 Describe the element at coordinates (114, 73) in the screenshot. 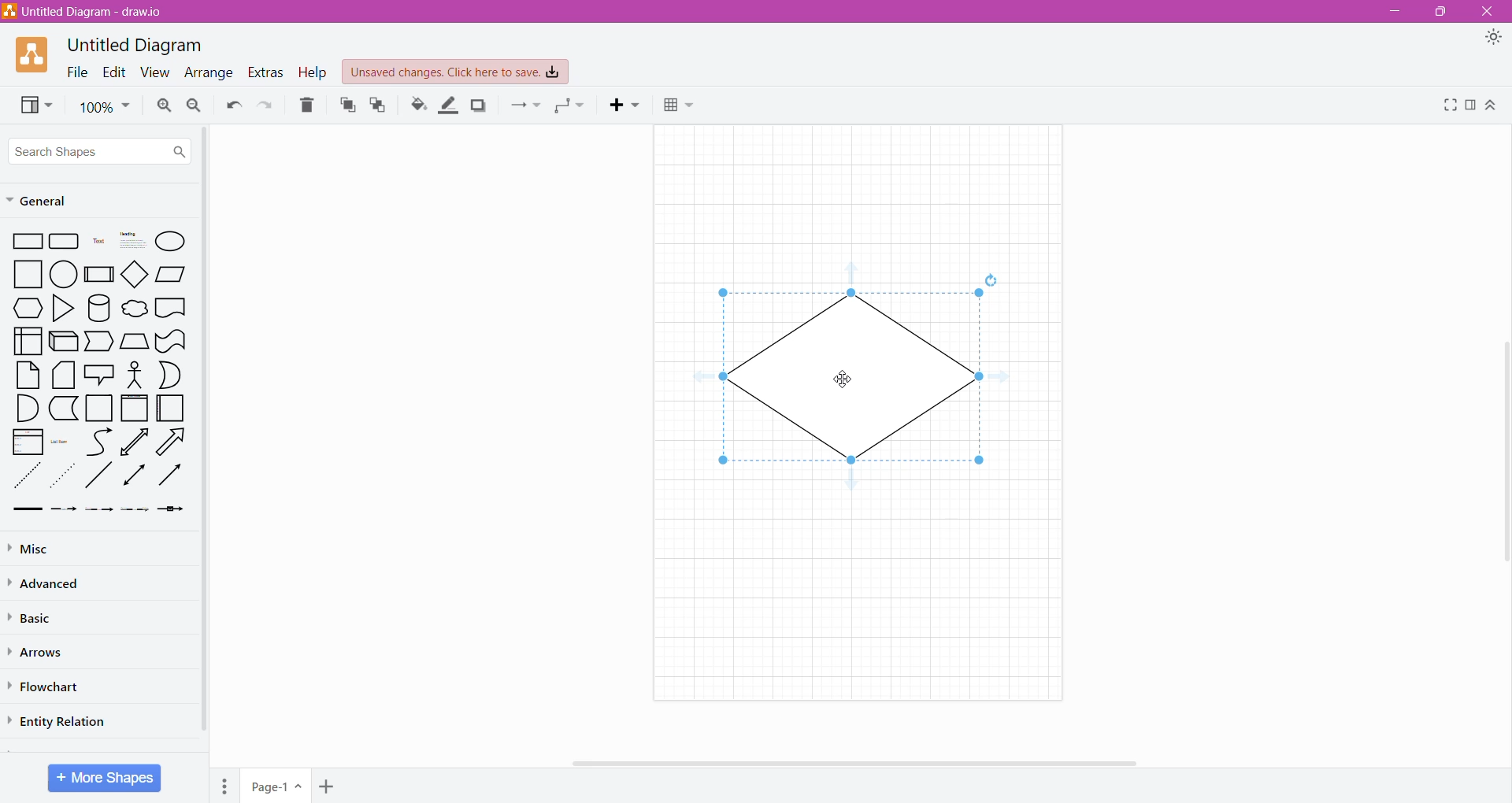

I see `Edit` at that location.